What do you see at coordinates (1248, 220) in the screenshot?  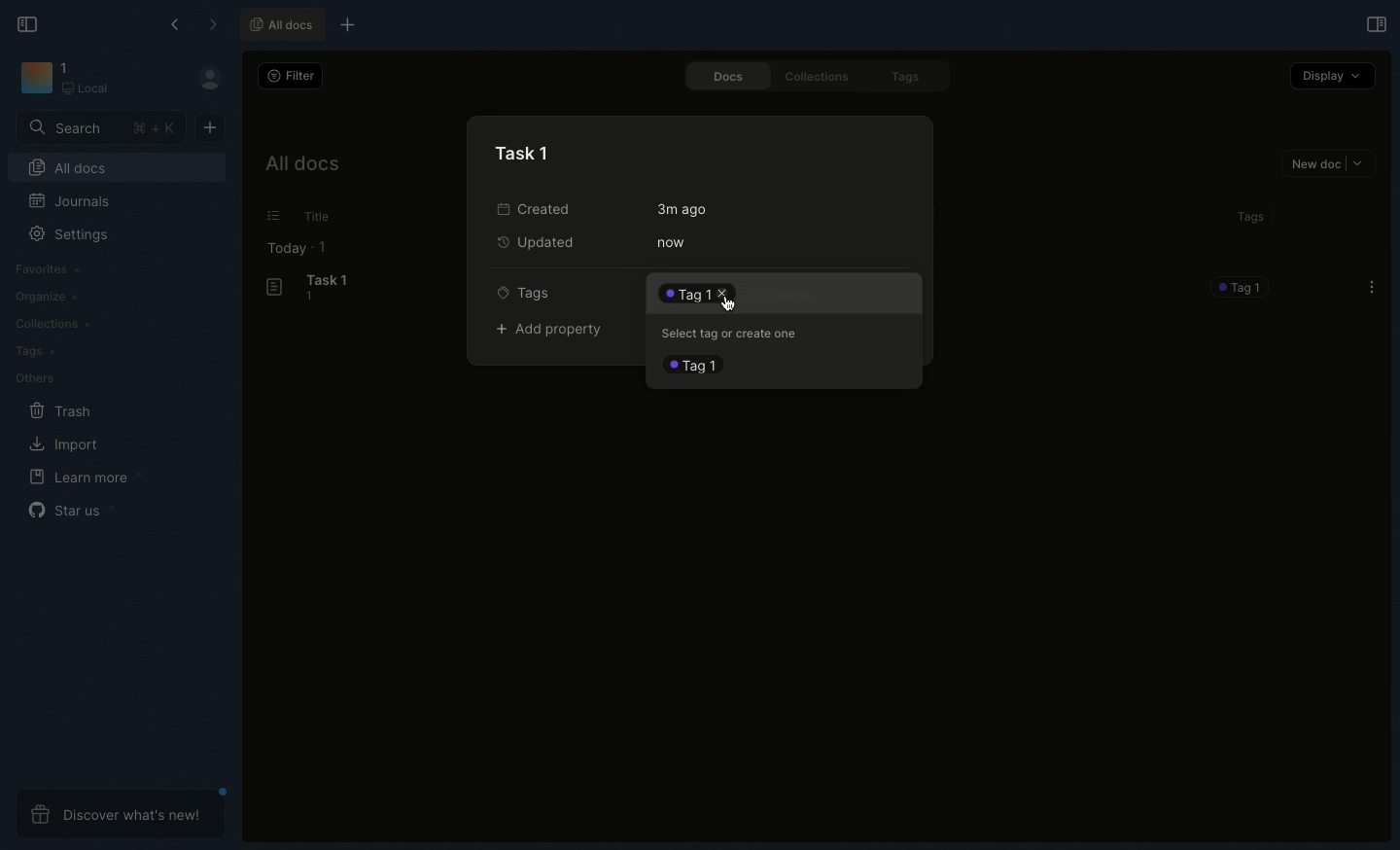 I see `Tags` at bounding box center [1248, 220].